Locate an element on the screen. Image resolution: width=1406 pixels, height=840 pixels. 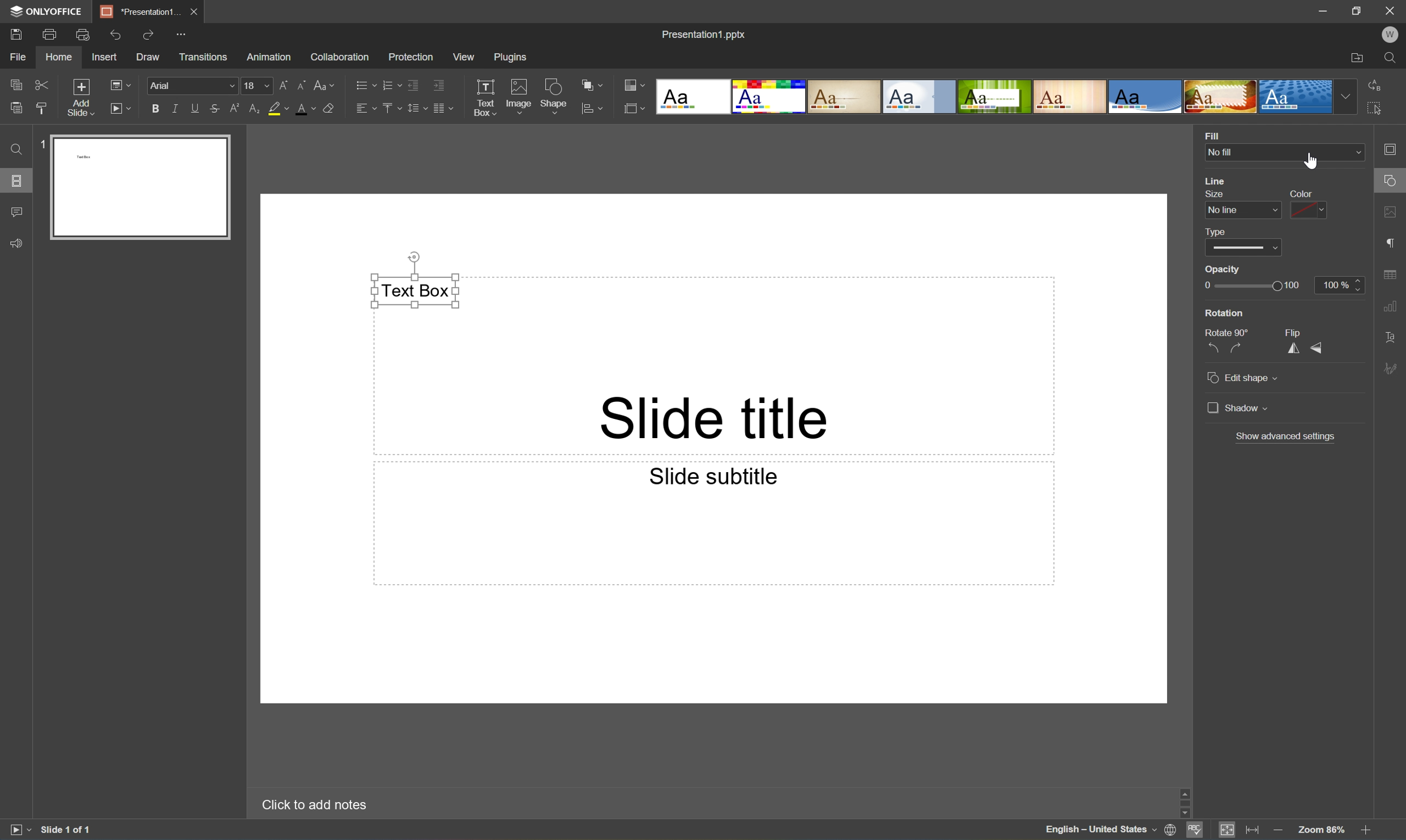
Open file location is located at coordinates (1358, 57).